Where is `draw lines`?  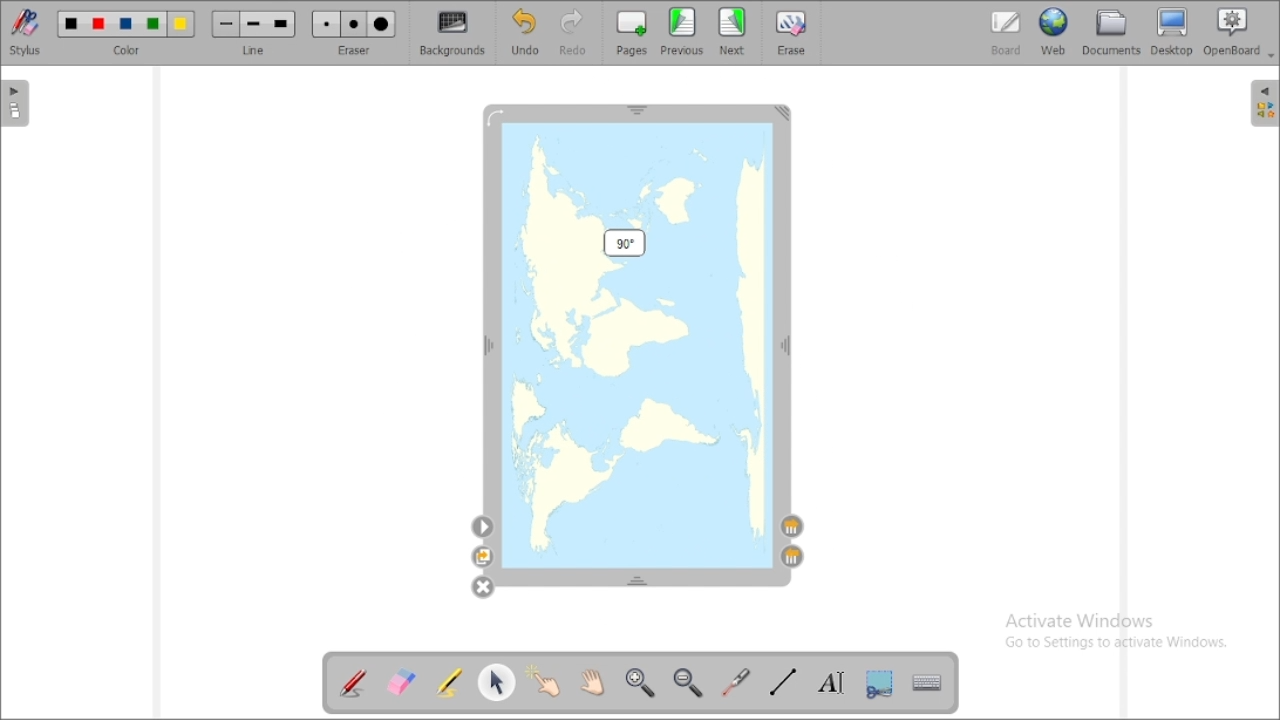
draw lines is located at coordinates (782, 683).